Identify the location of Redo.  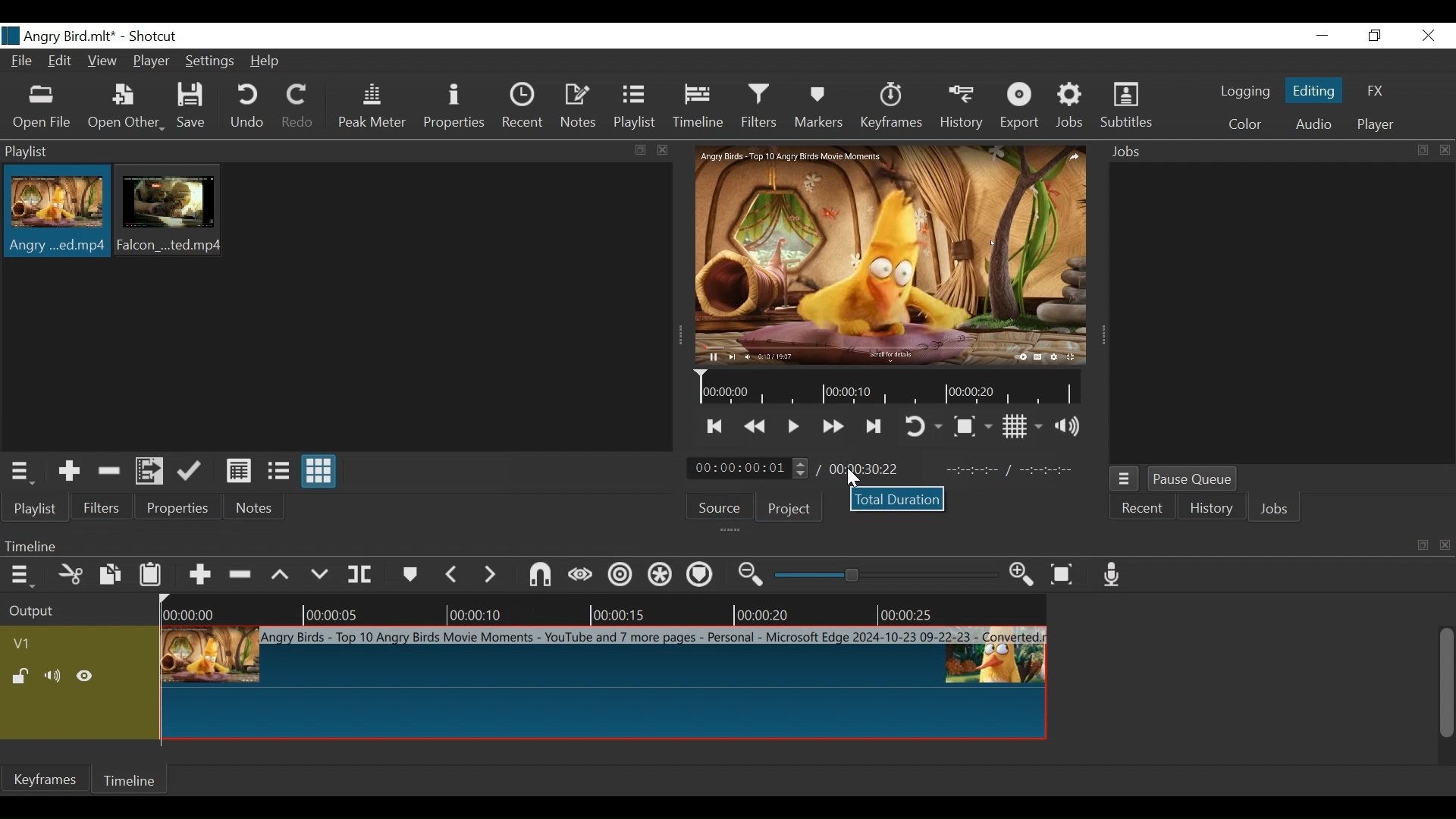
(297, 107).